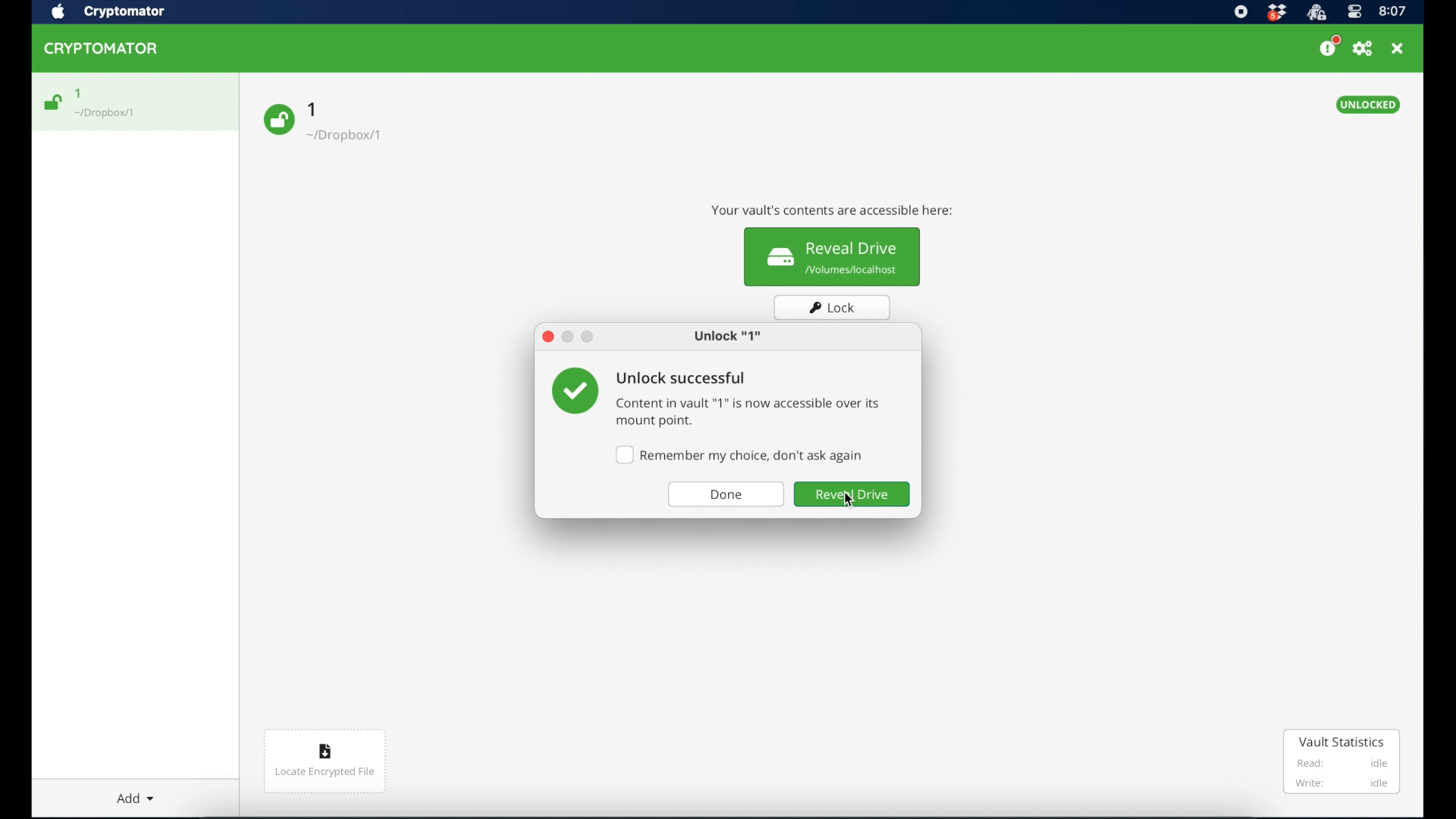  Describe the element at coordinates (108, 51) in the screenshot. I see `CRYPTOMATOR` at that location.